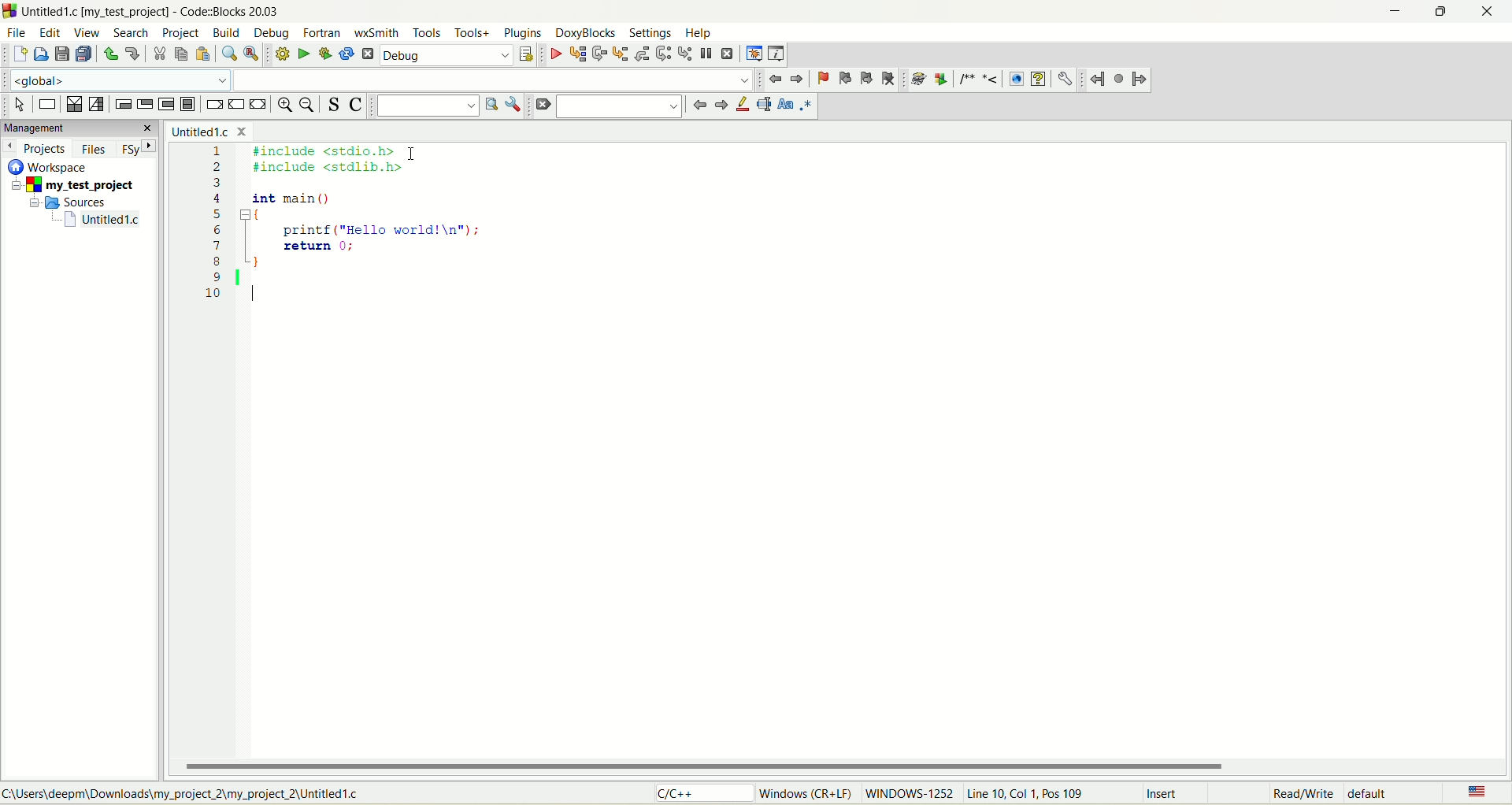  I want to click on debug, so click(445, 54).